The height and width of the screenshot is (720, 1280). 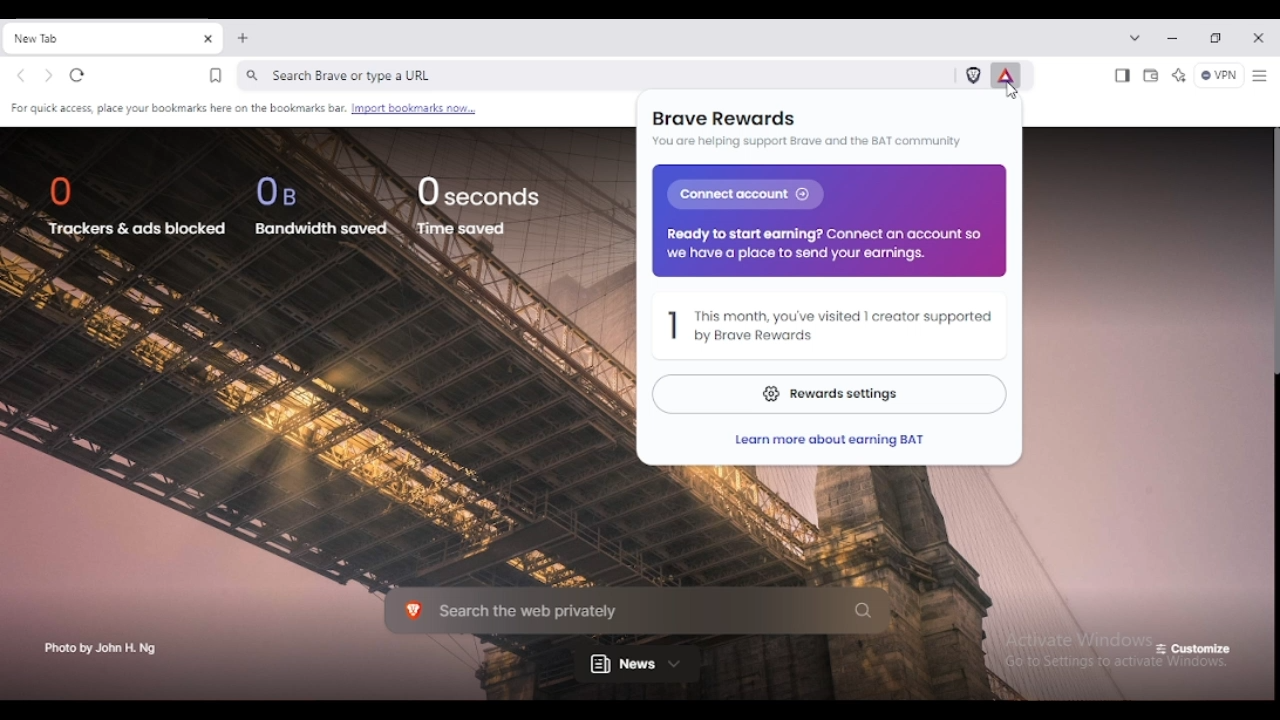 I want to click on 0 seconds time saved, so click(x=483, y=205).